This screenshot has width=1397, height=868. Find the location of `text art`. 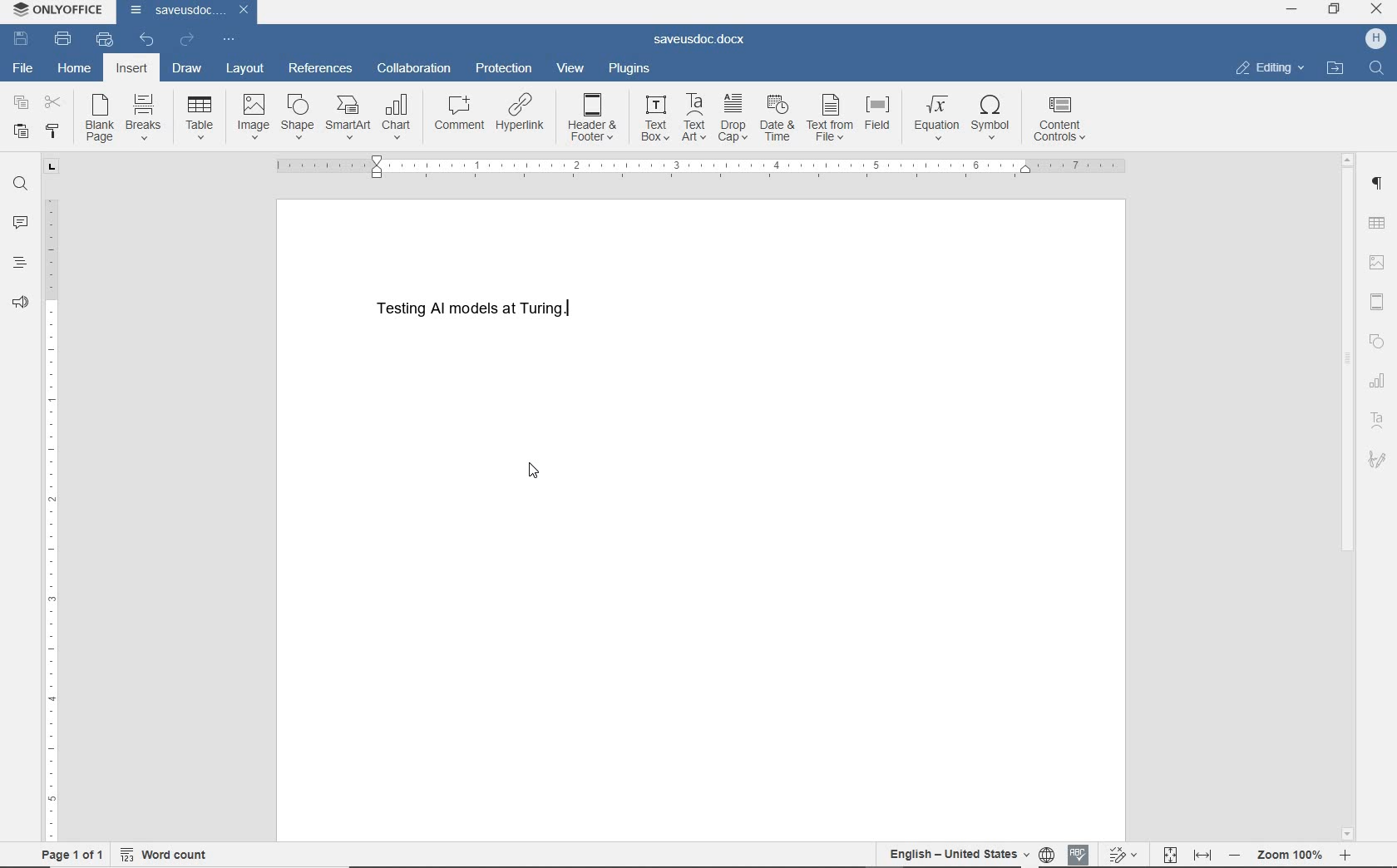

text art is located at coordinates (1378, 420).